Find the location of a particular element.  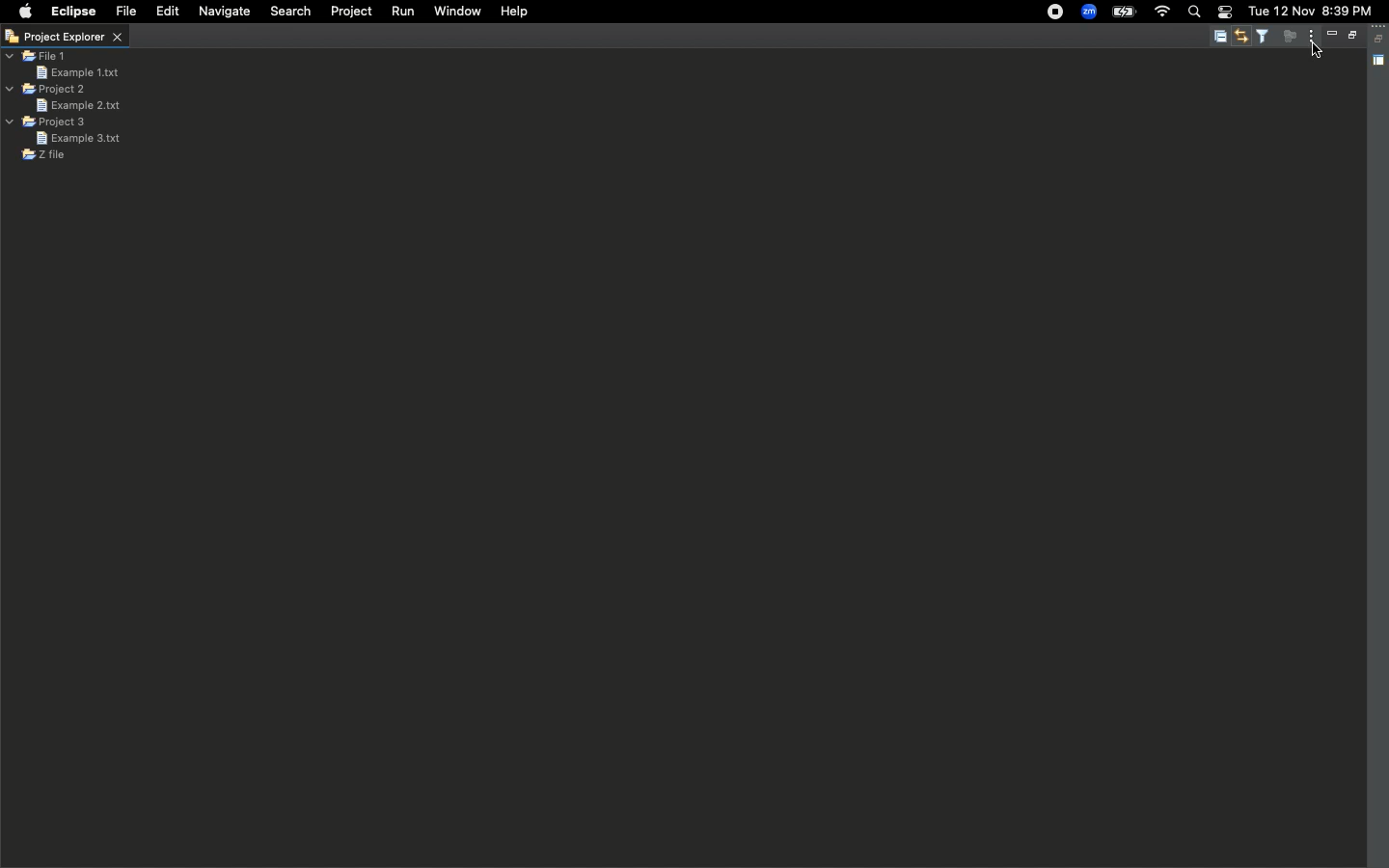

Minimize is located at coordinates (1331, 34).